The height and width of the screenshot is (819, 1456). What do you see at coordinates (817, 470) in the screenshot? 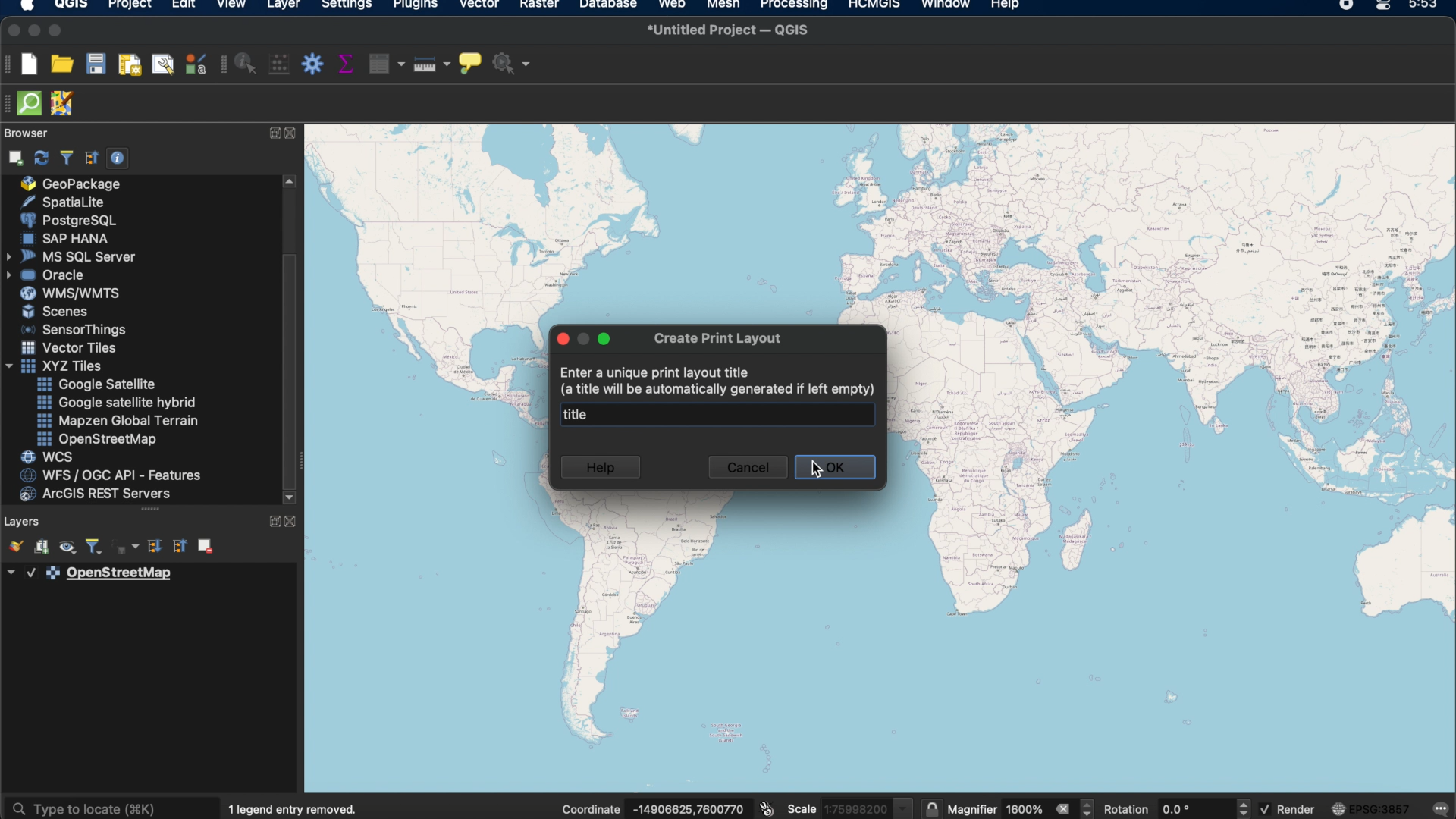
I see `cursor` at bounding box center [817, 470].